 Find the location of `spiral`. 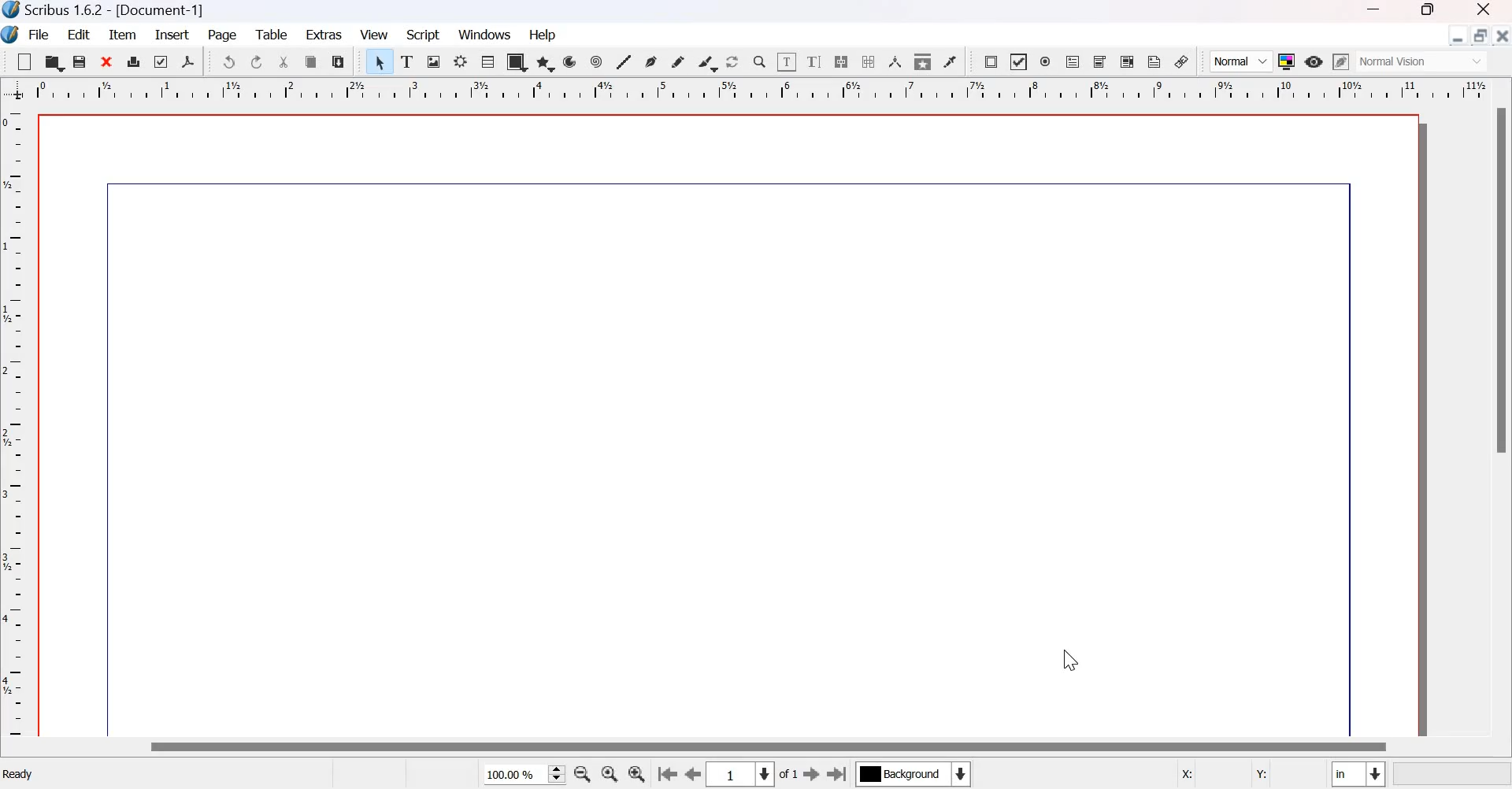

spiral is located at coordinates (595, 61).